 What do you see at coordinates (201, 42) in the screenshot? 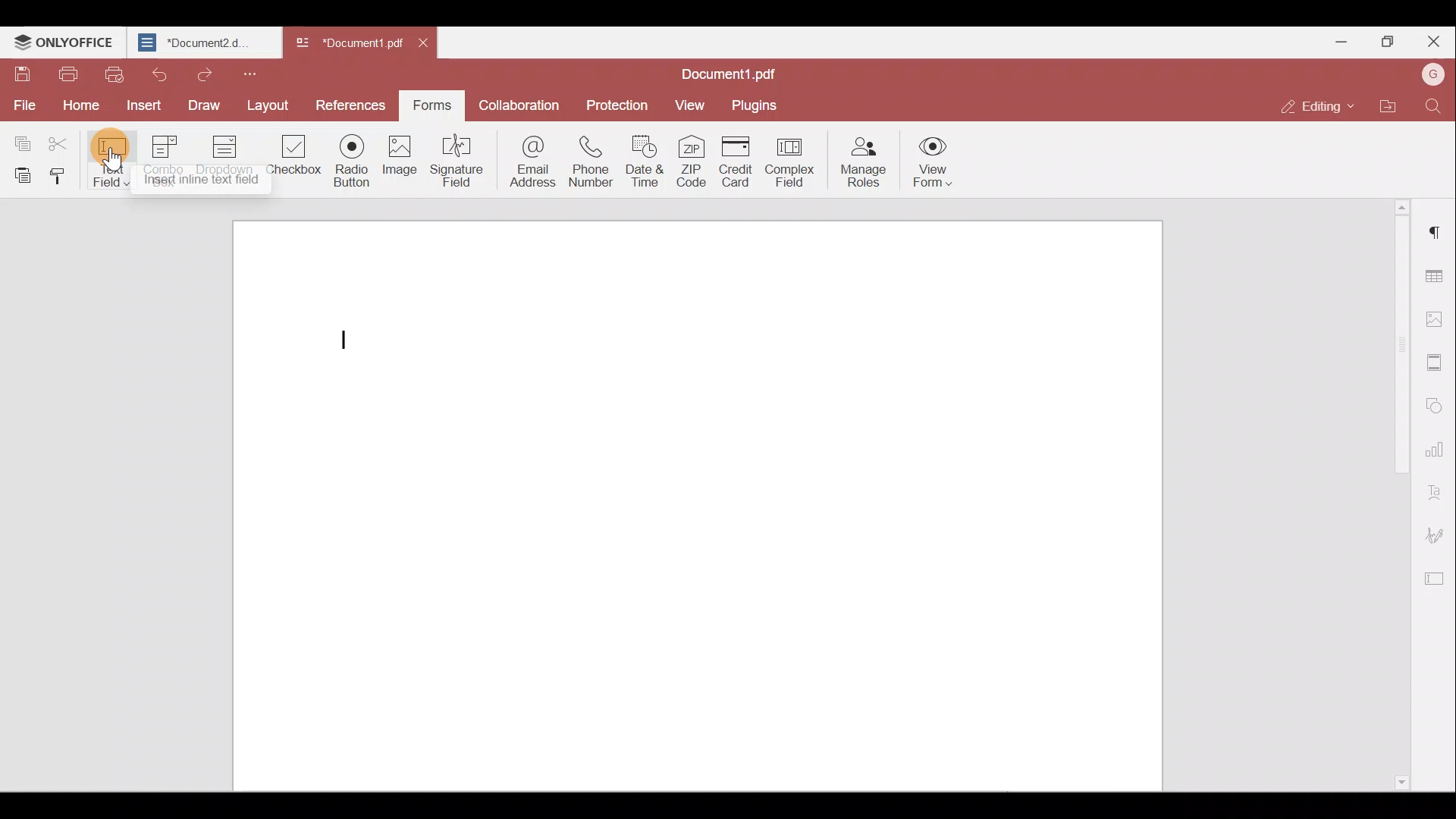
I see `*Document2.d.` at bounding box center [201, 42].